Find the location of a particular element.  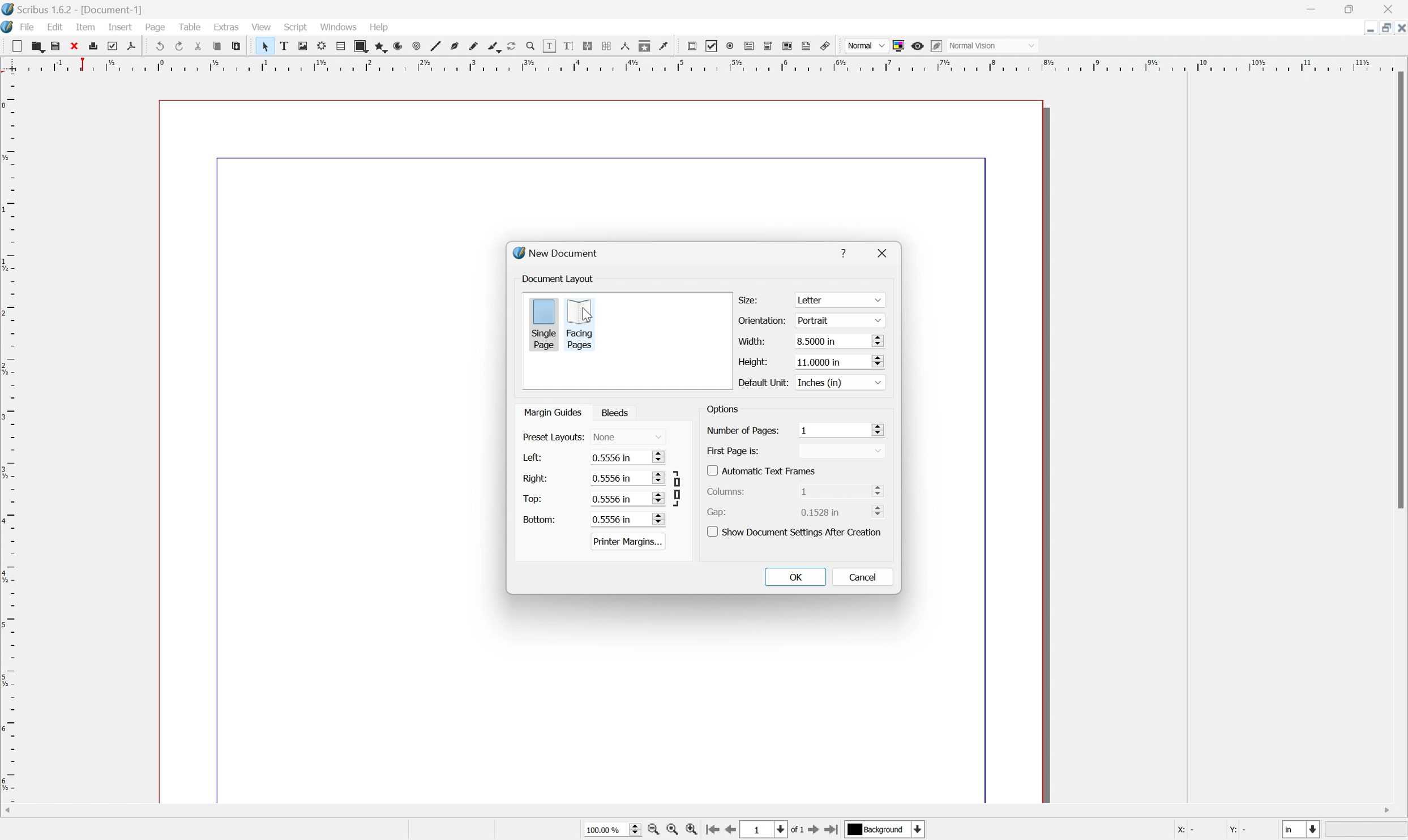

preset layout is located at coordinates (552, 438).